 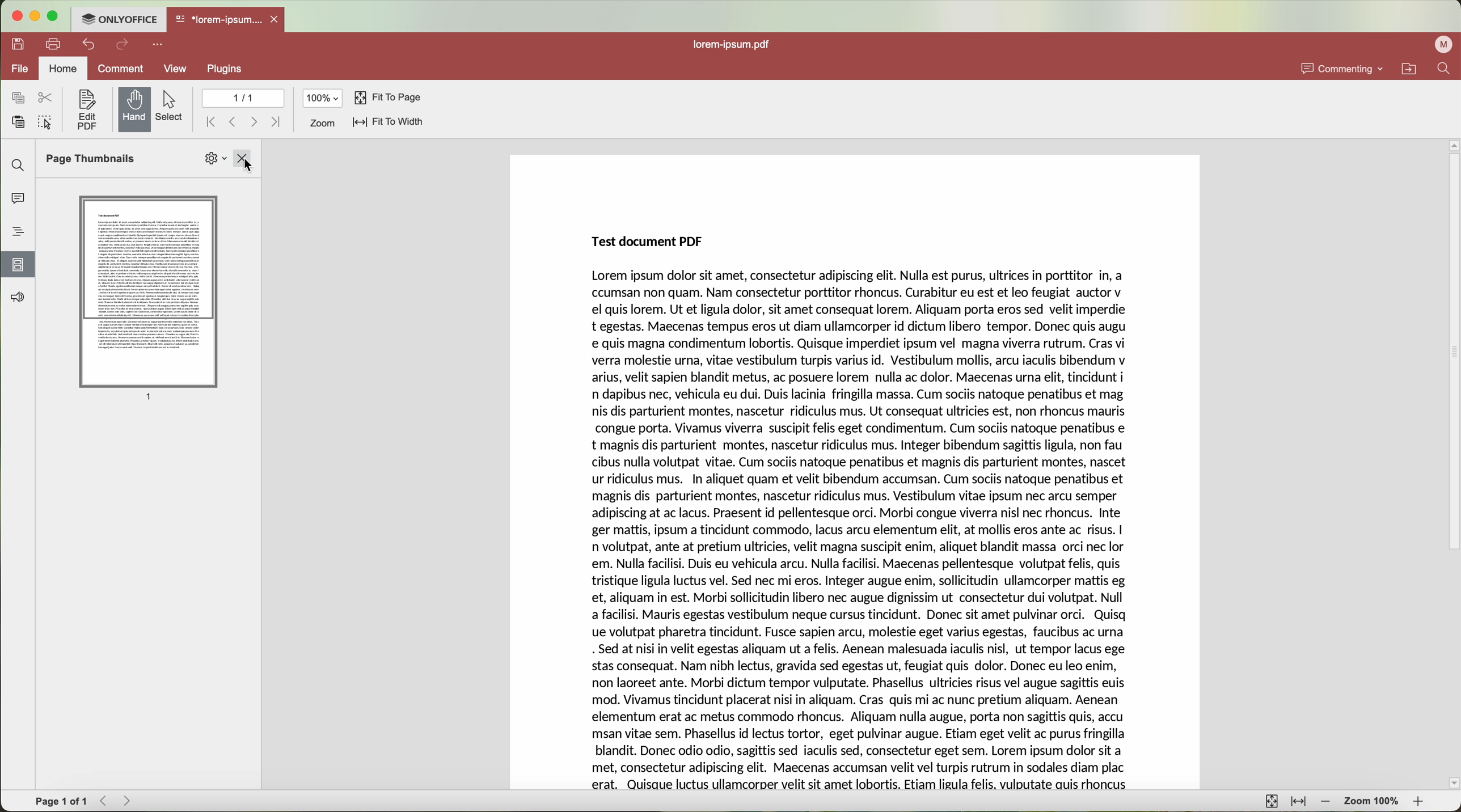 I want to click on comments, so click(x=18, y=201).